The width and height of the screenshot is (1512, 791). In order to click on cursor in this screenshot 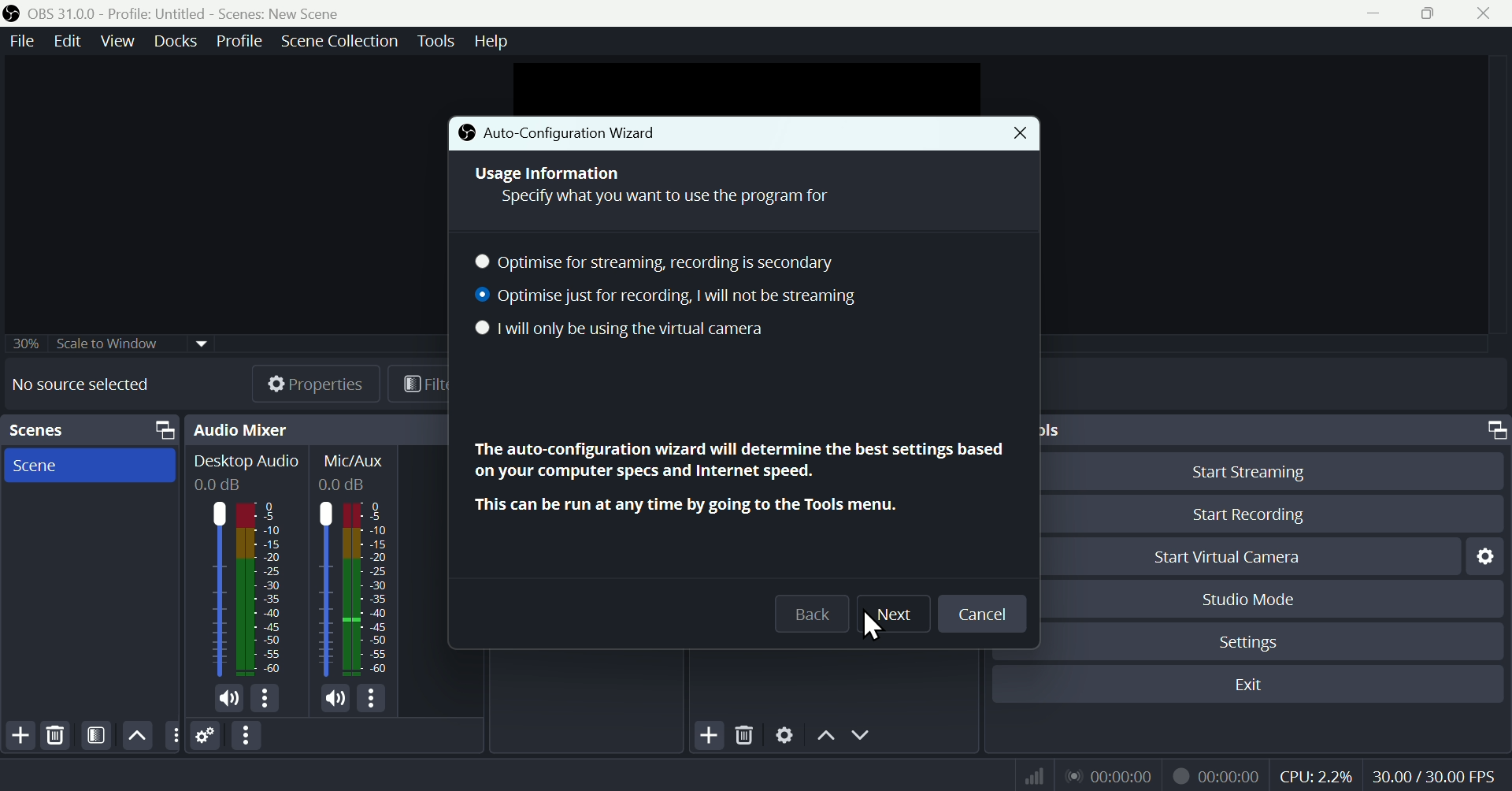, I will do `click(877, 628)`.